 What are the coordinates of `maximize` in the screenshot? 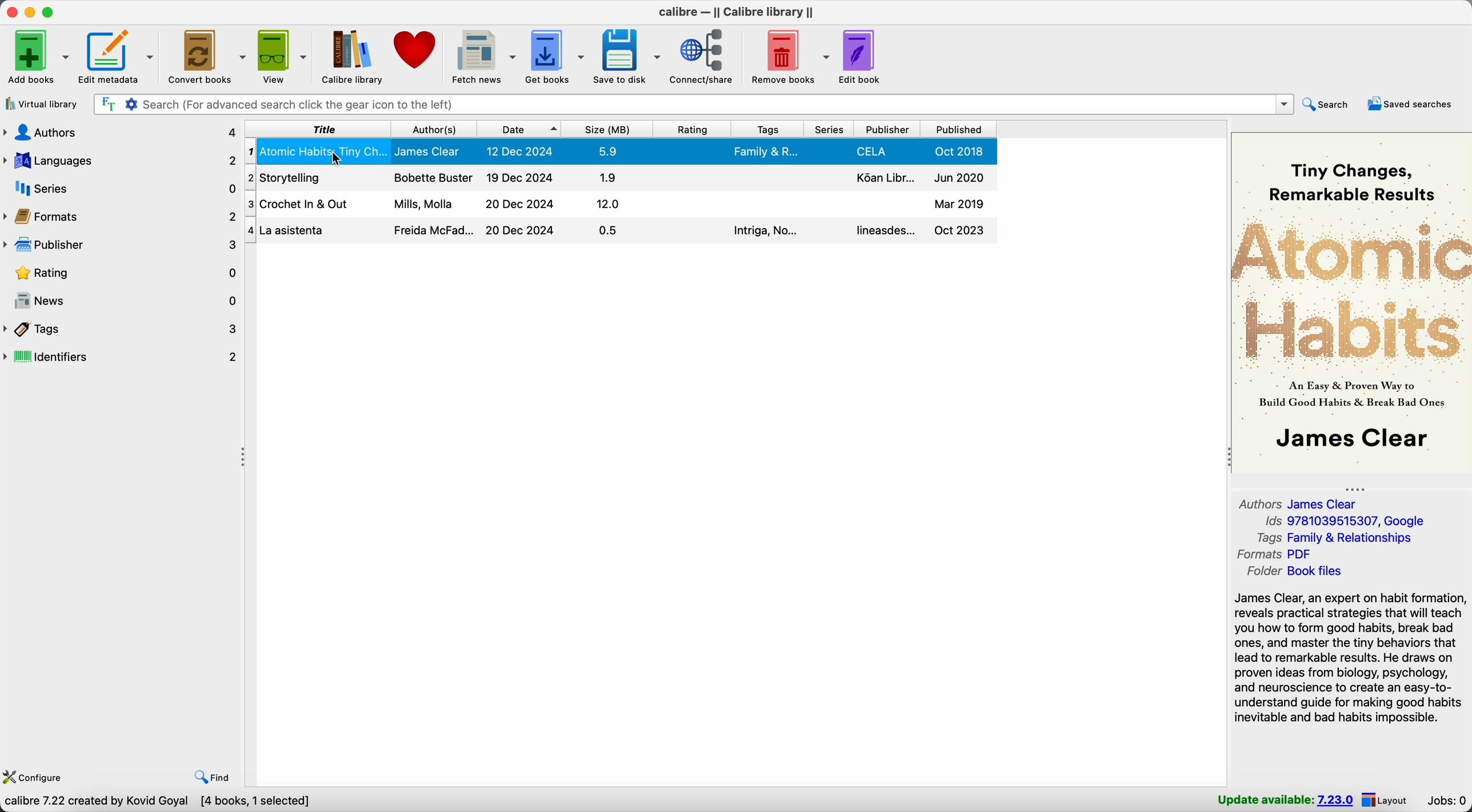 It's located at (50, 11).